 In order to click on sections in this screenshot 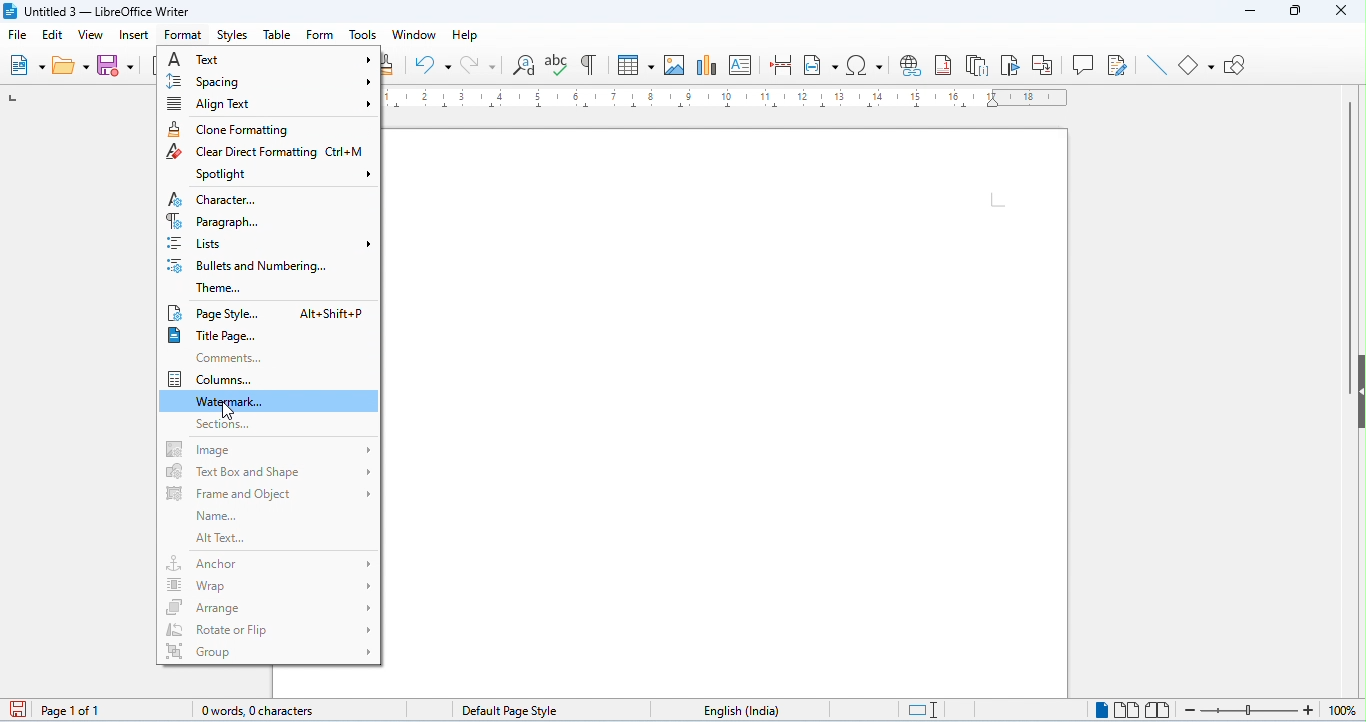, I will do `click(234, 425)`.